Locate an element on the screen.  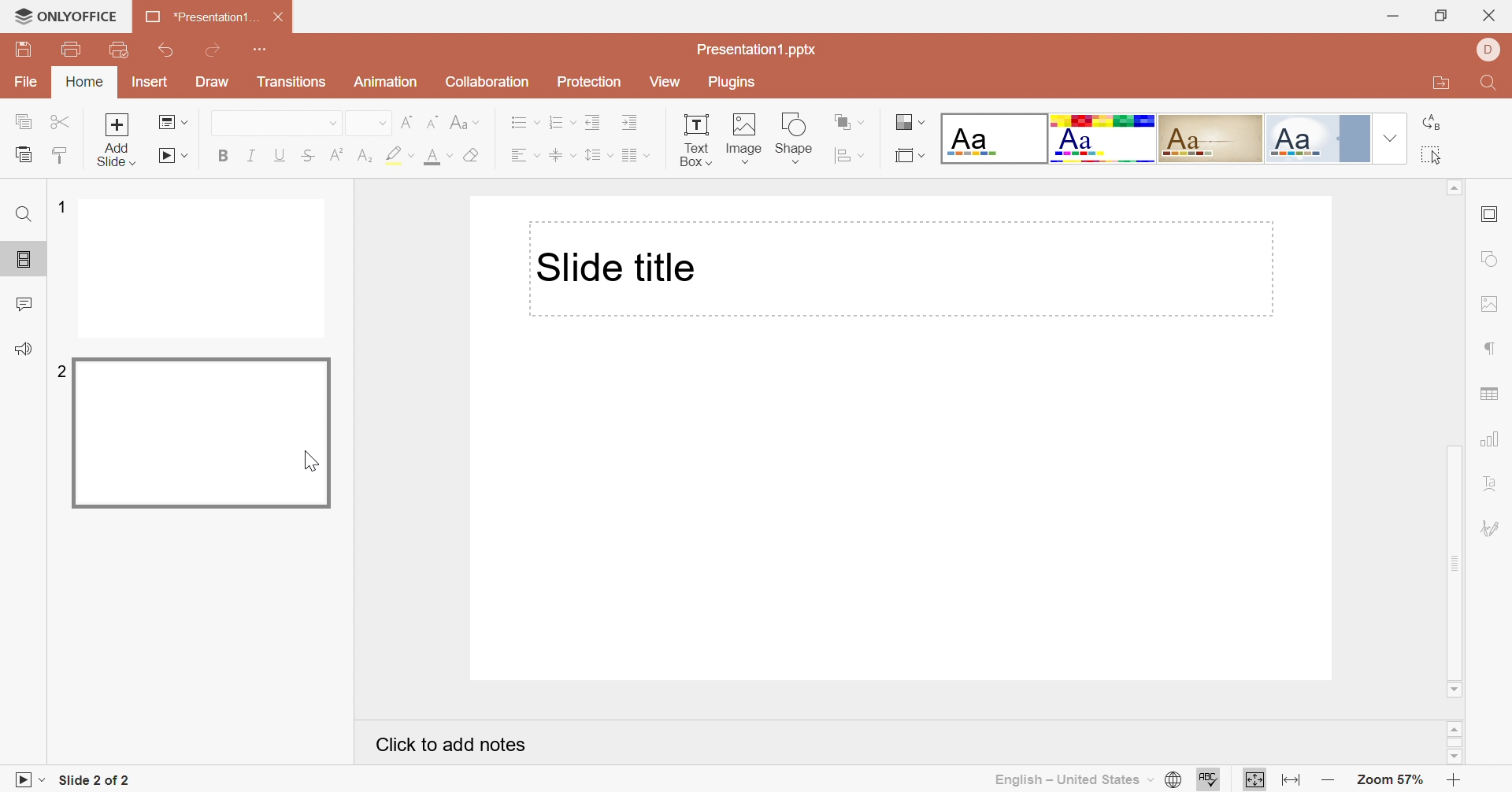
Superscript is located at coordinates (335, 155).